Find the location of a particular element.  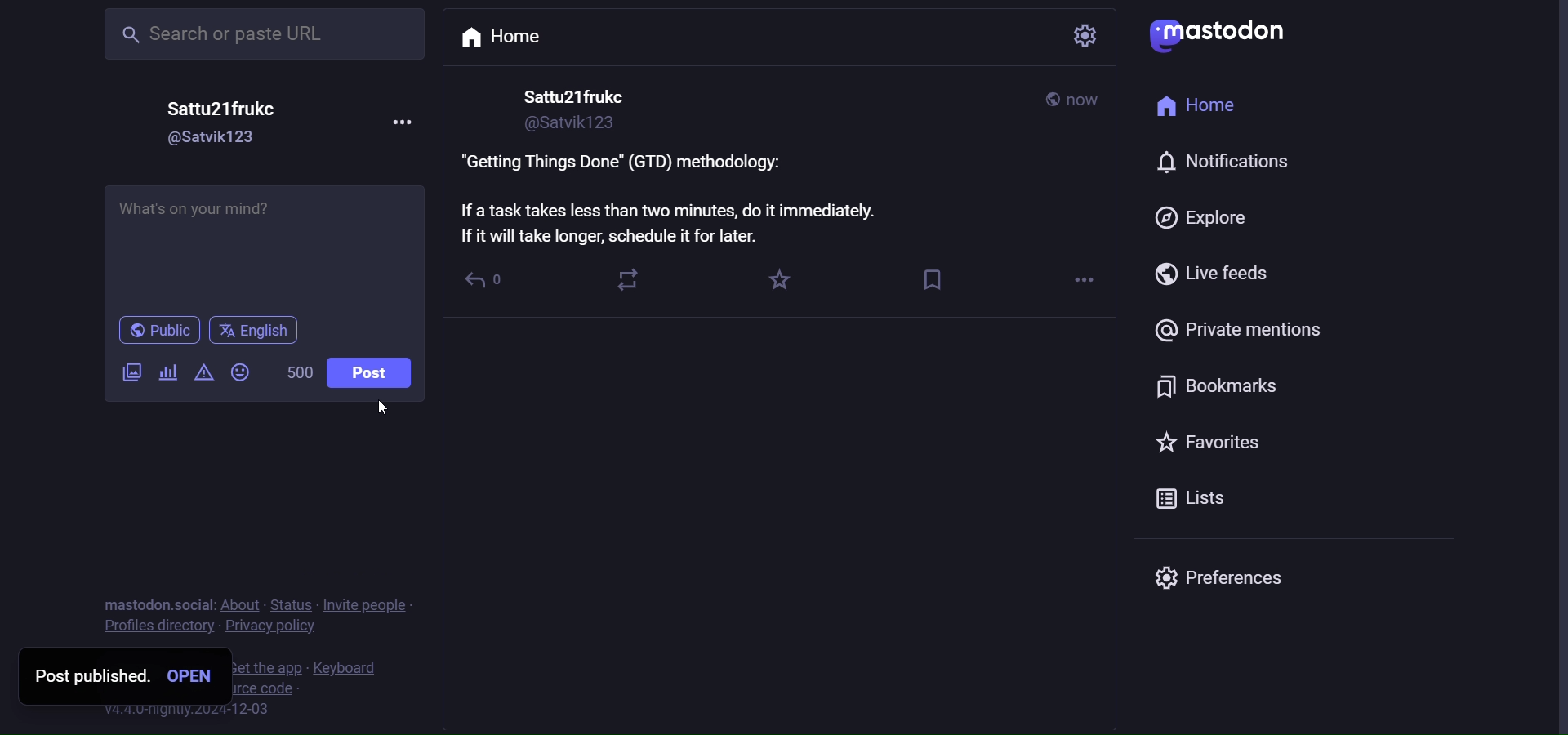

status is located at coordinates (292, 605).